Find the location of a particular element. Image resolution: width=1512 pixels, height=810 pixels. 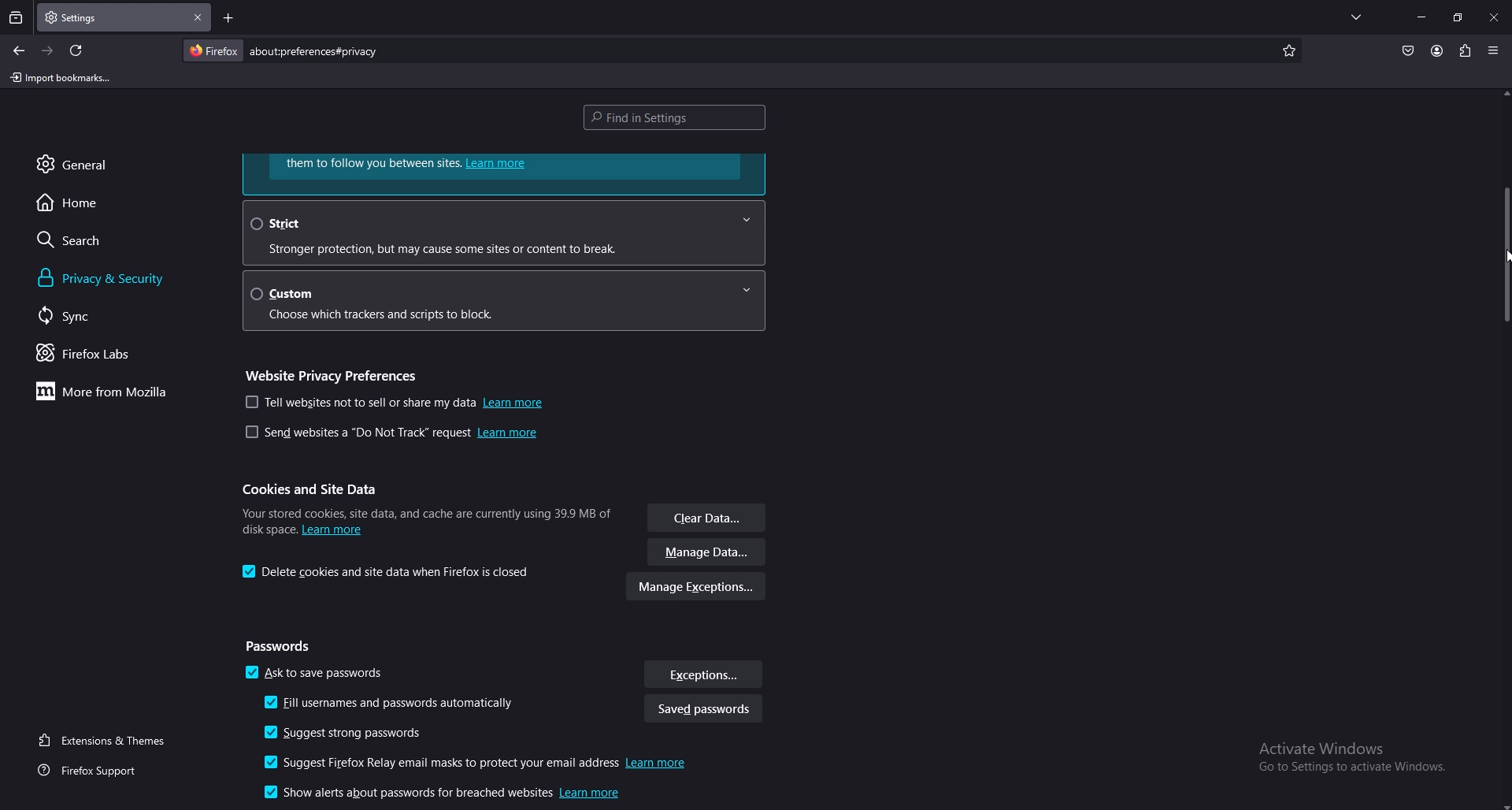

forward is located at coordinates (49, 51).